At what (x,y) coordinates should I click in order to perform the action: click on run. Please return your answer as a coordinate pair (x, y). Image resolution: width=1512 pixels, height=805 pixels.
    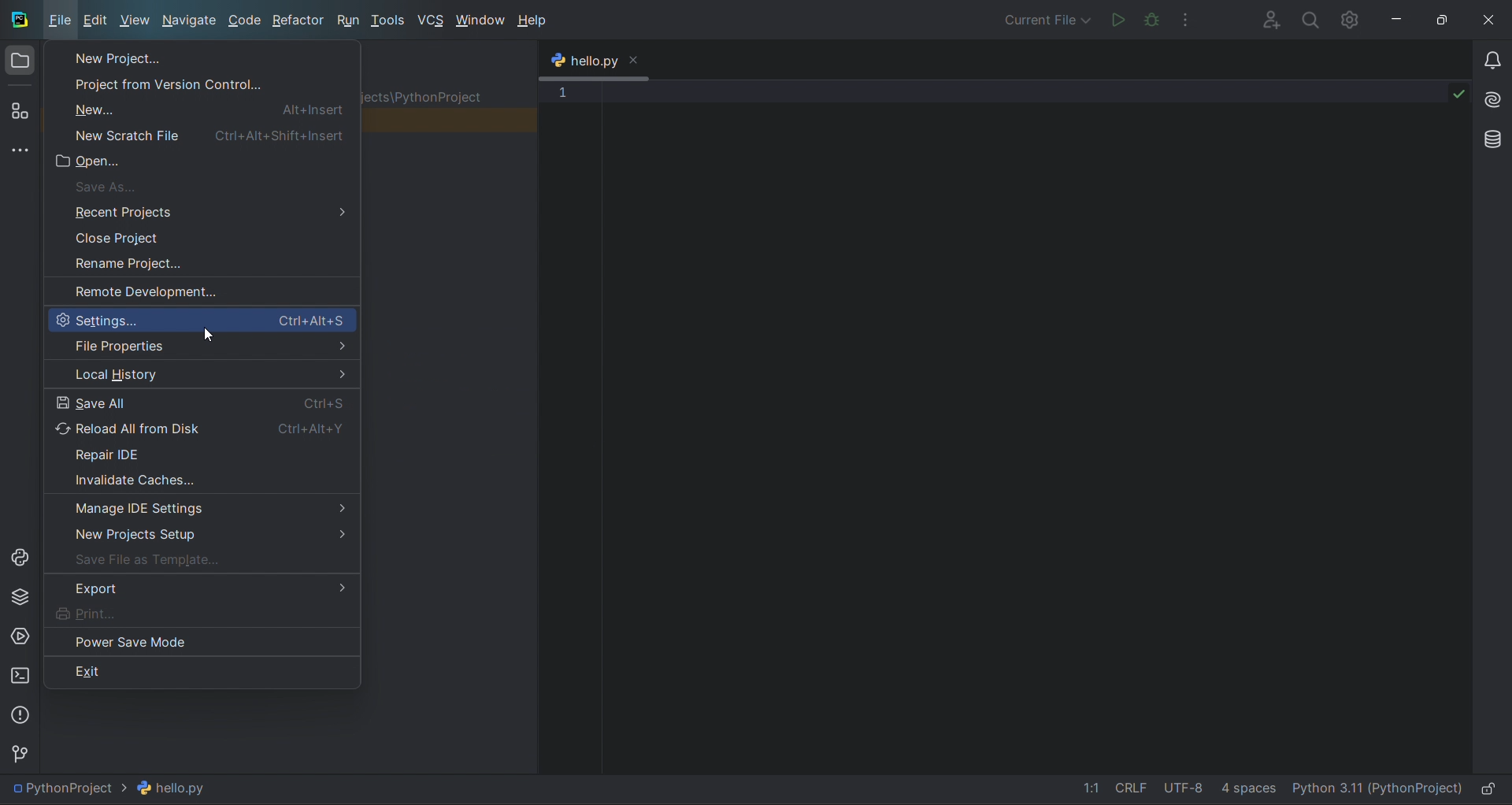
    Looking at the image, I should click on (1112, 21).